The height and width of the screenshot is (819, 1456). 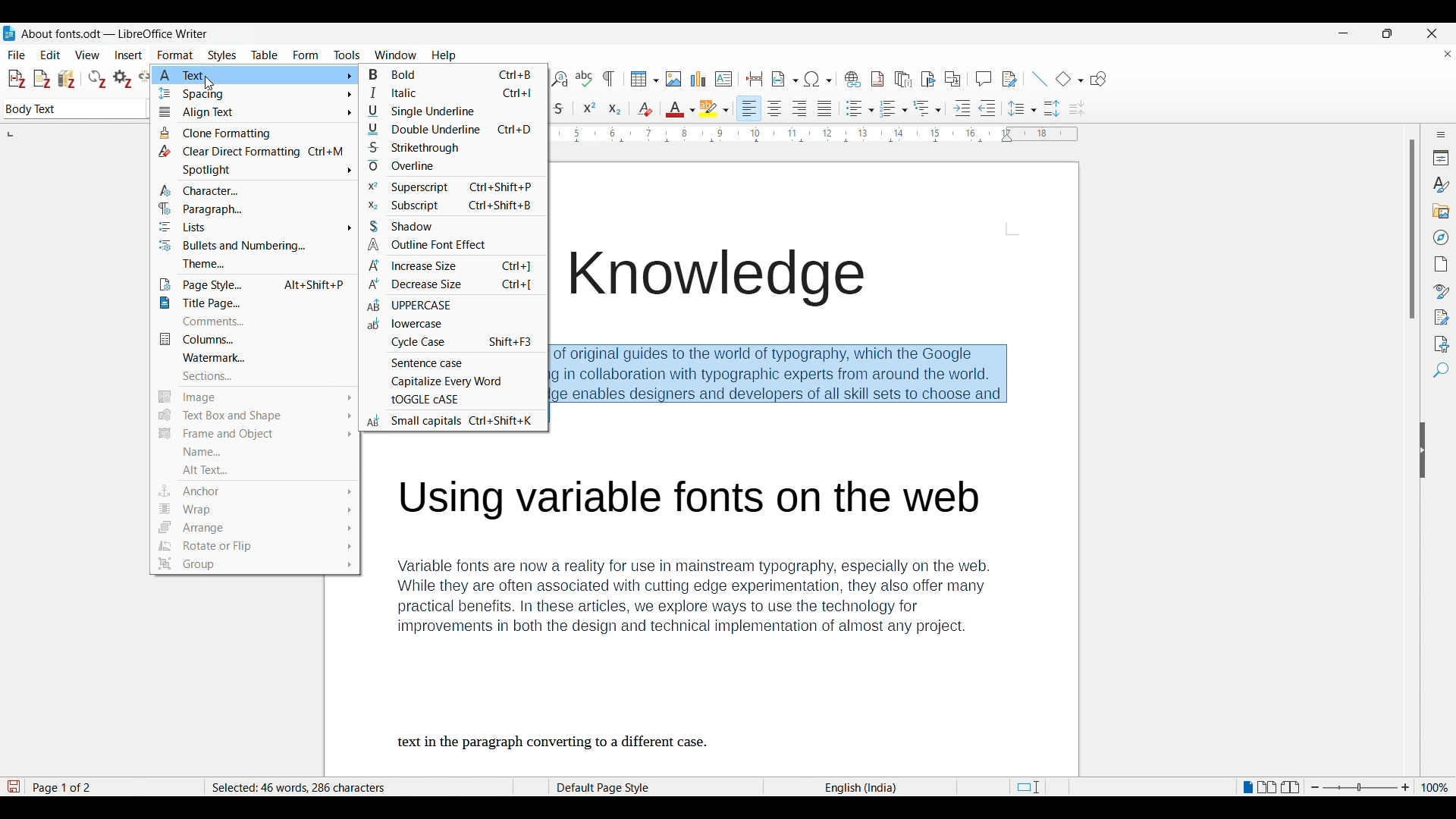 I want to click on Watermark, so click(x=250, y=358).